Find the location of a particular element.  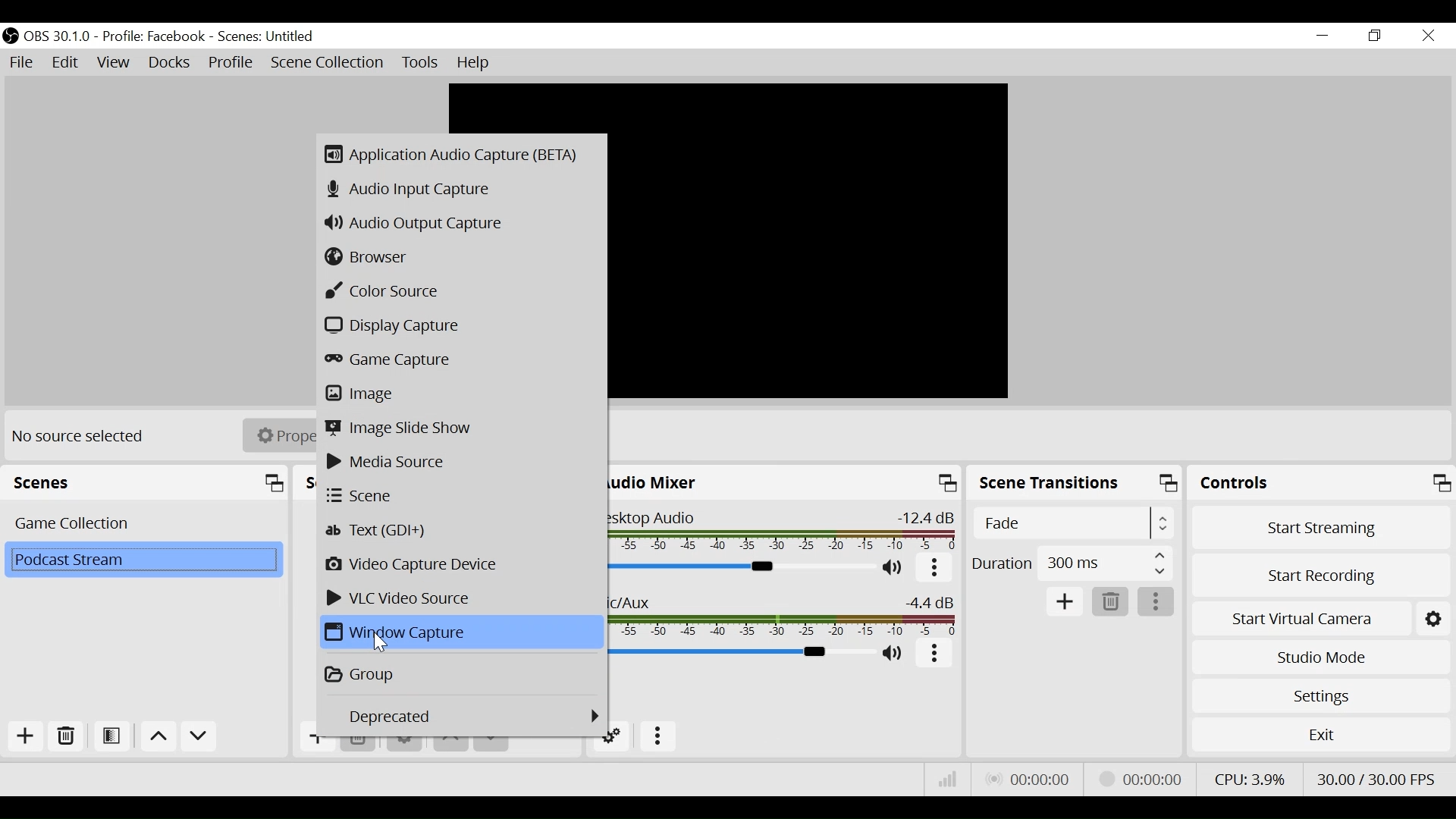

Groups is located at coordinates (461, 673).